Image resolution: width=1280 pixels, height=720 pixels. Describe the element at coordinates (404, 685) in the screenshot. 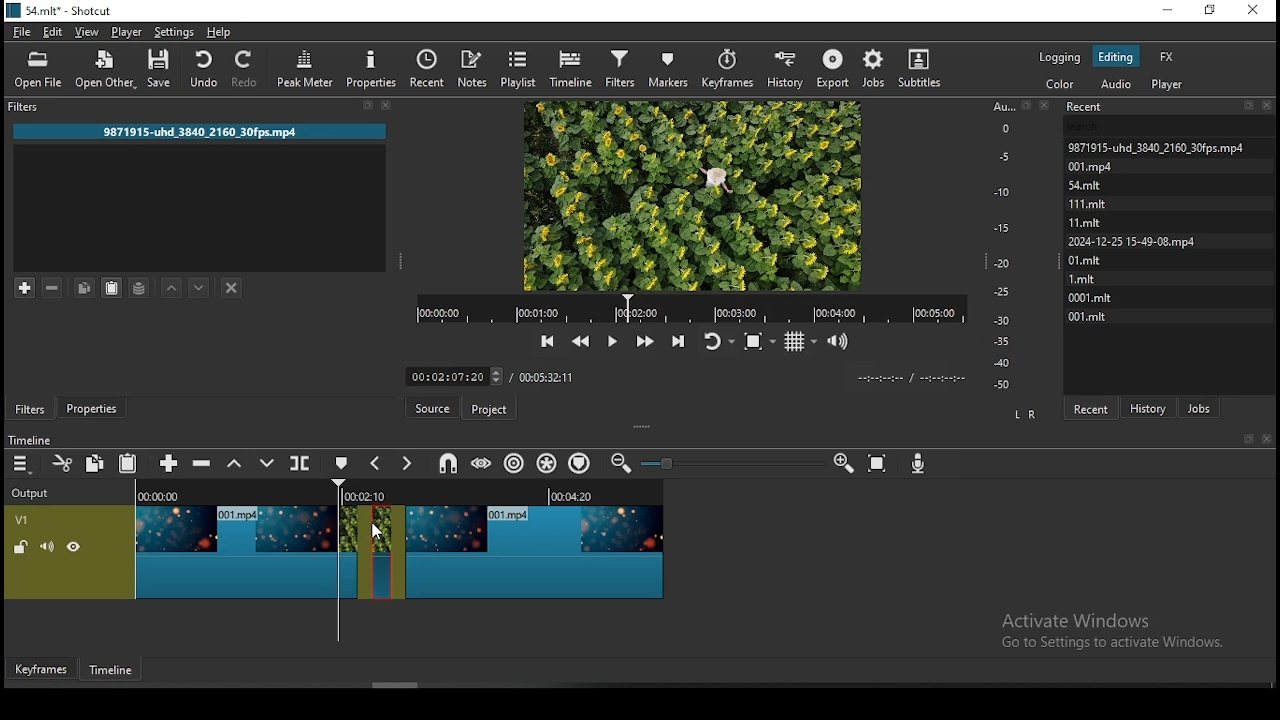

I see `scroll bar` at that location.